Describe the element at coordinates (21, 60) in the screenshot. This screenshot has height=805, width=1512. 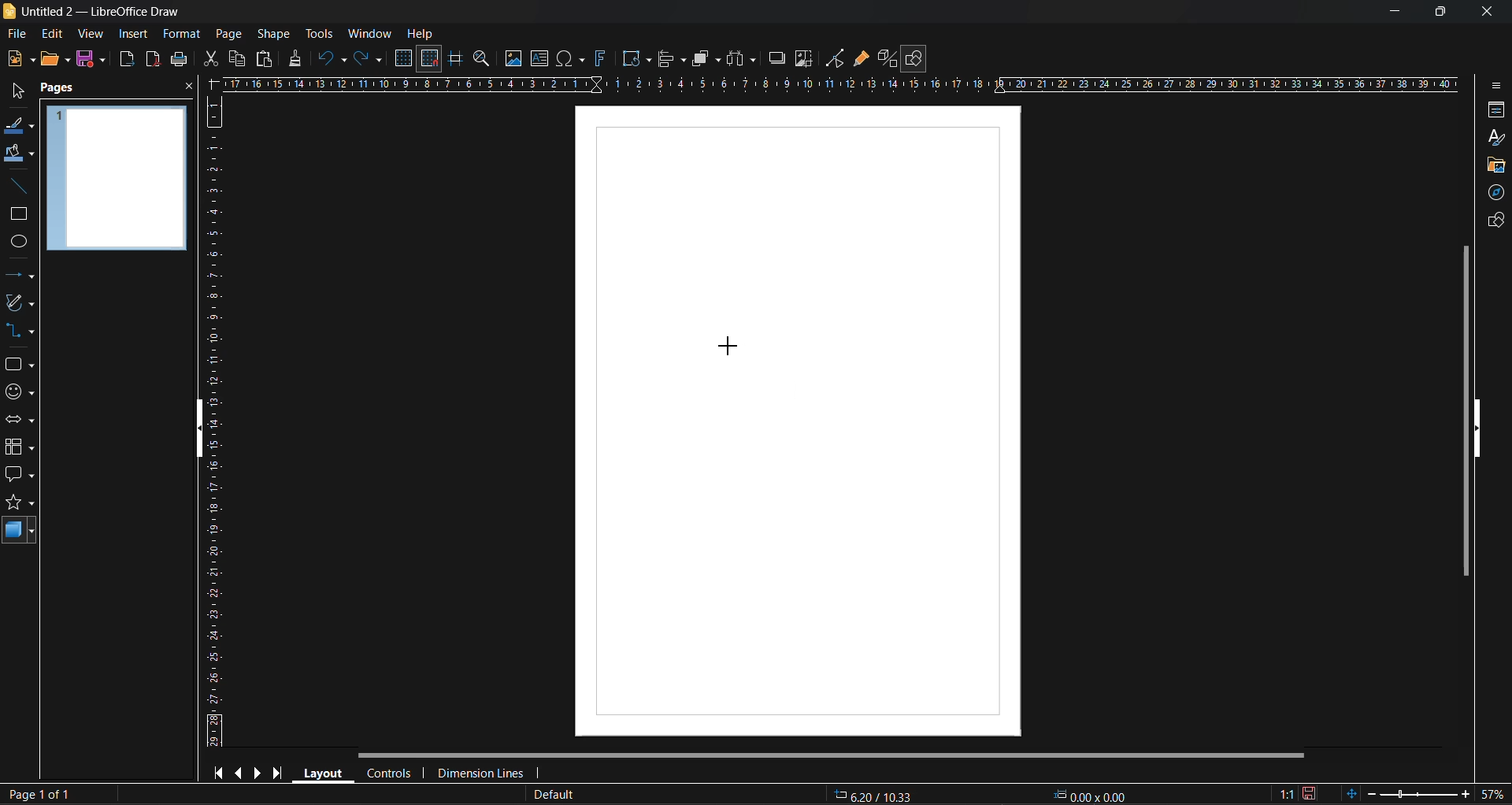
I see `new` at that location.